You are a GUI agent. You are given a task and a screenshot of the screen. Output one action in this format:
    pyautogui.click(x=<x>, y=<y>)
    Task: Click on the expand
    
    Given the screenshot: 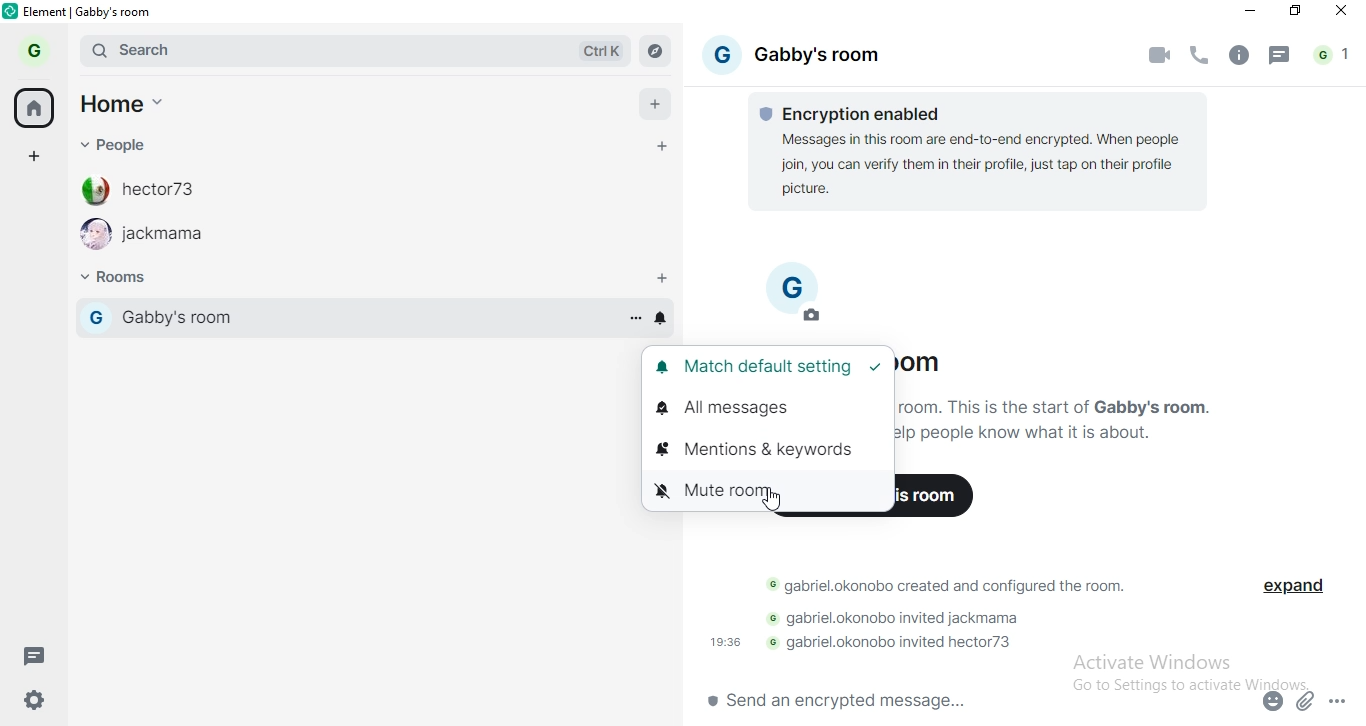 What is the action you would take?
    pyautogui.click(x=1292, y=586)
    